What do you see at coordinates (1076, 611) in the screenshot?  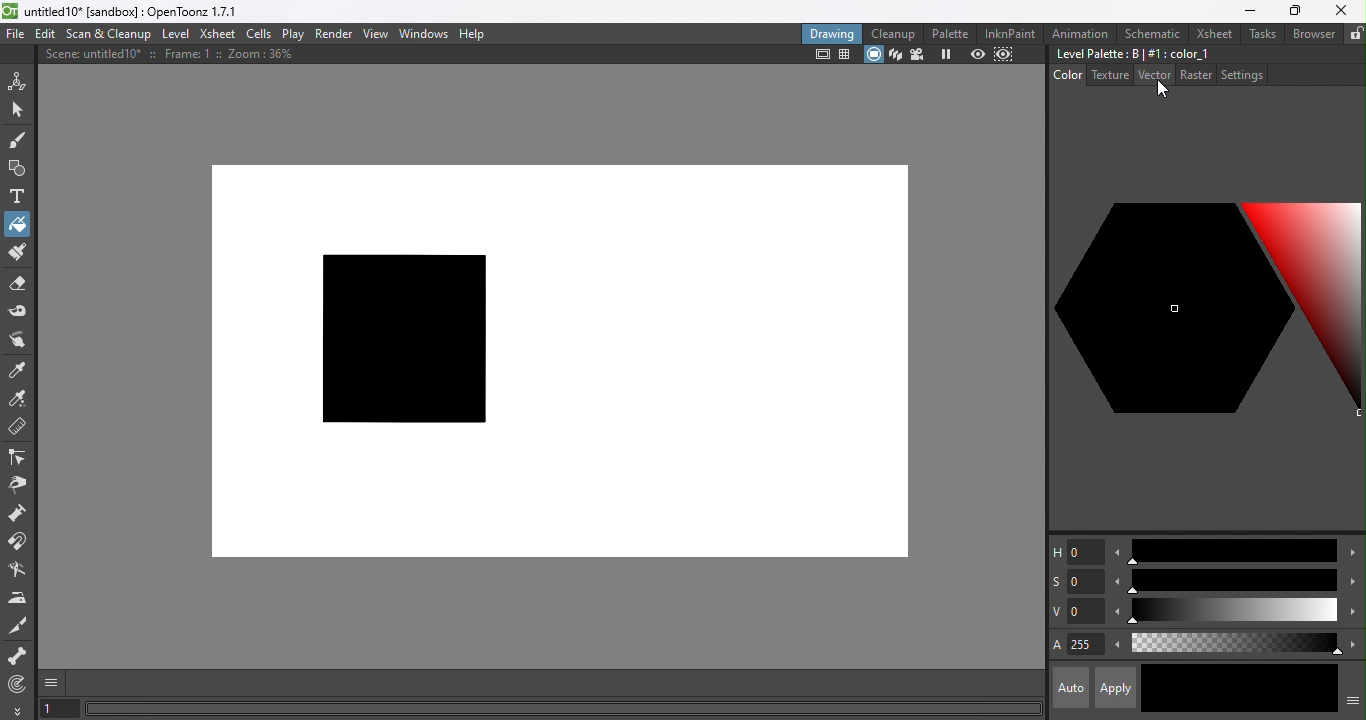 I see `V` at bounding box center [1076, 611].